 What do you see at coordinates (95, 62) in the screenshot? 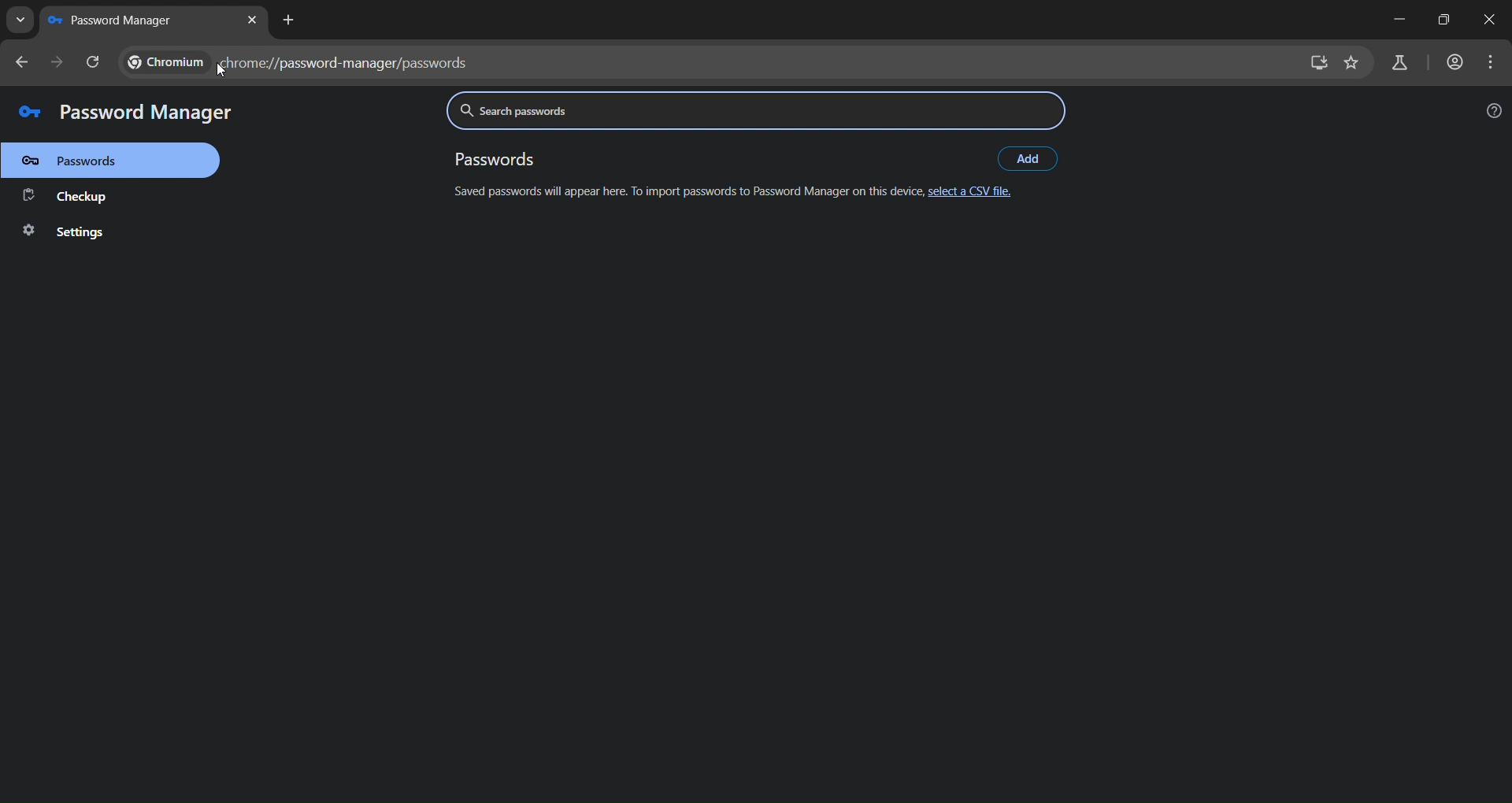
I see `reload page` at bounding box center [95, 62].